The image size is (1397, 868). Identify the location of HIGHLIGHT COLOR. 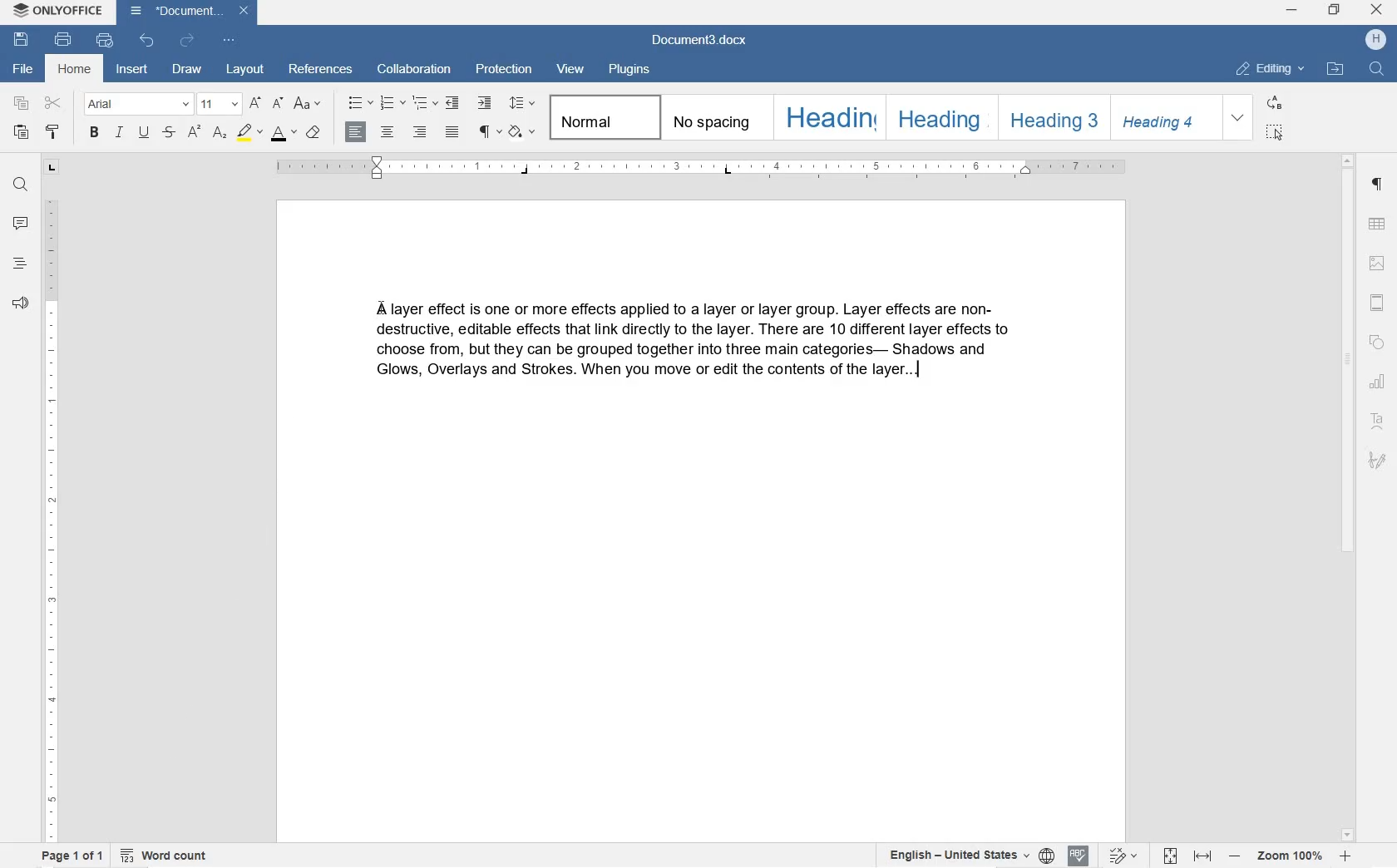
(248, 136).